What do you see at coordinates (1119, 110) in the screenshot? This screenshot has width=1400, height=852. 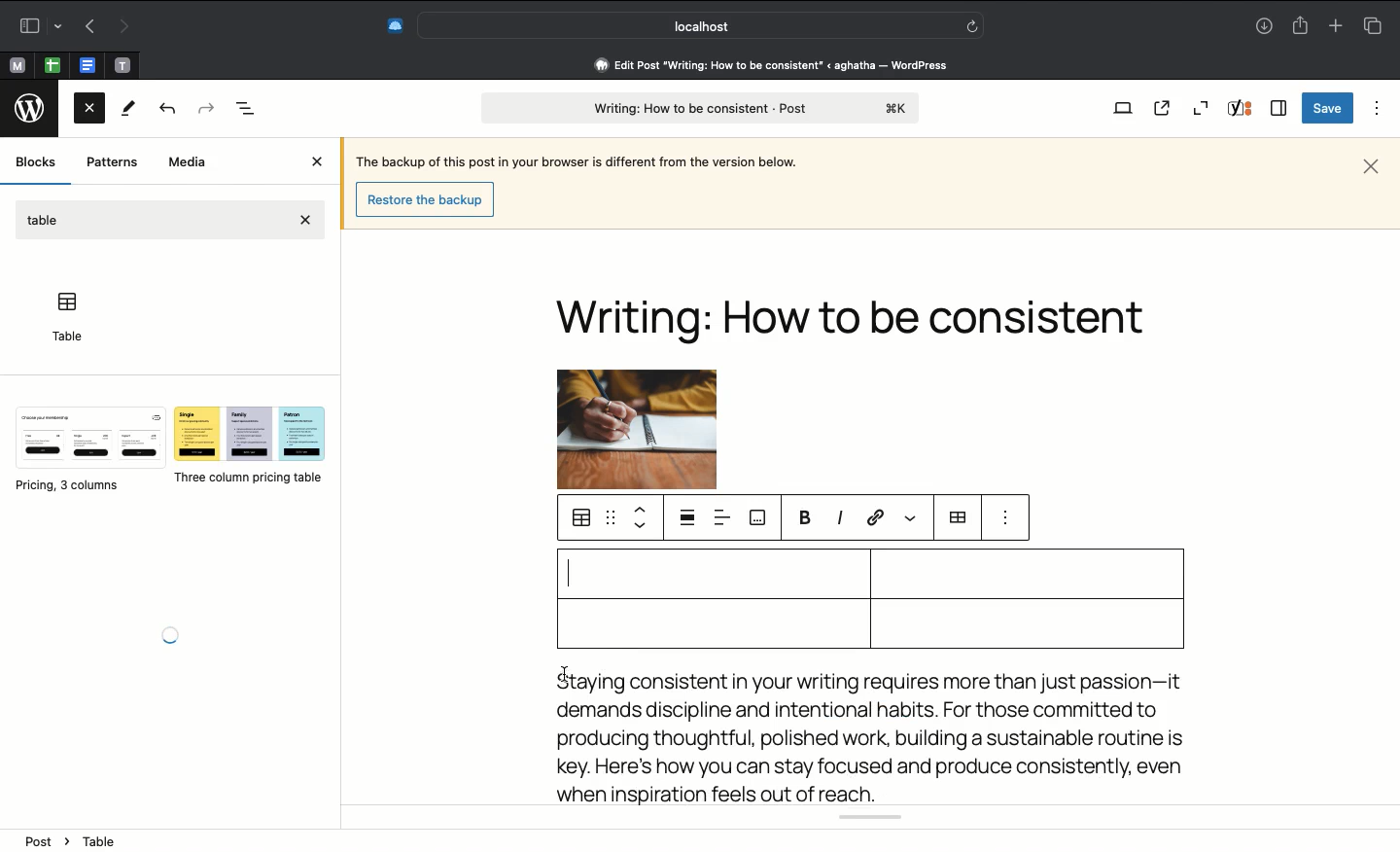 I see `View` at bounding box center [1119, 110].